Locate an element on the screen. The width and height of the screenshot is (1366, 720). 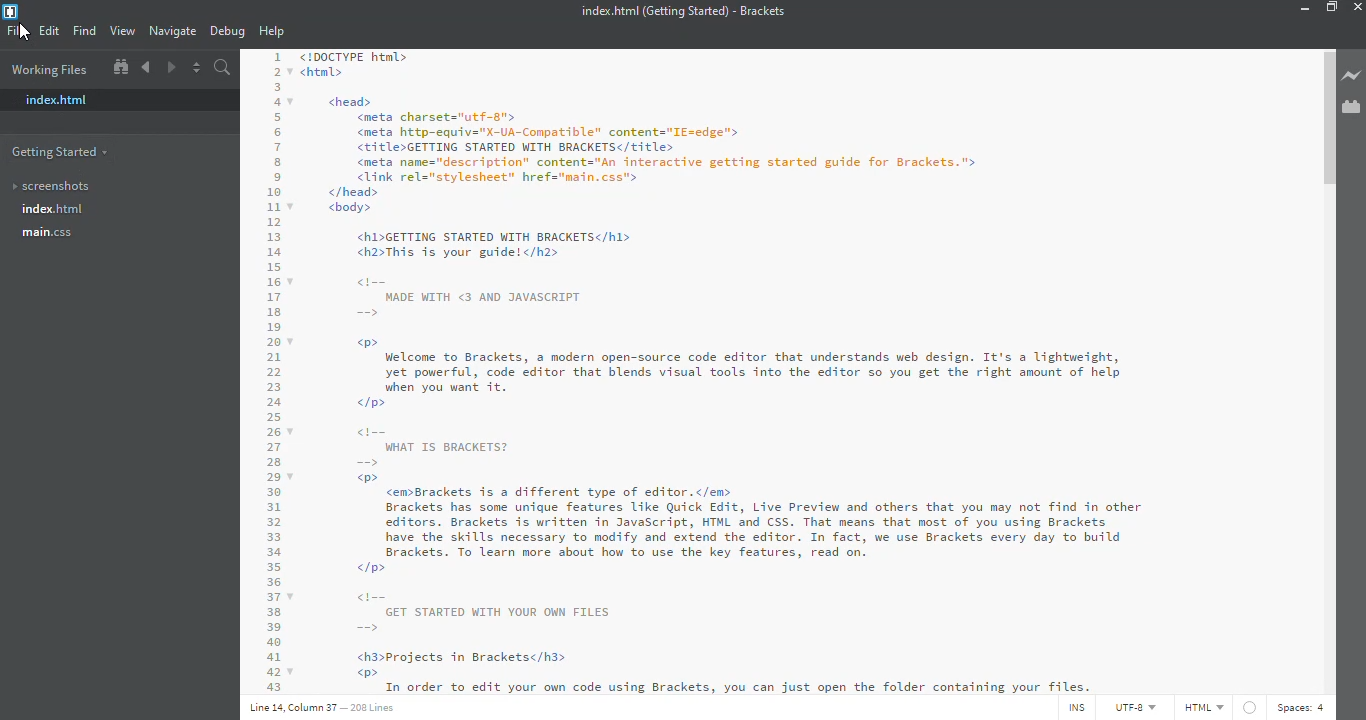
close is located at coordinates (1362, 8).